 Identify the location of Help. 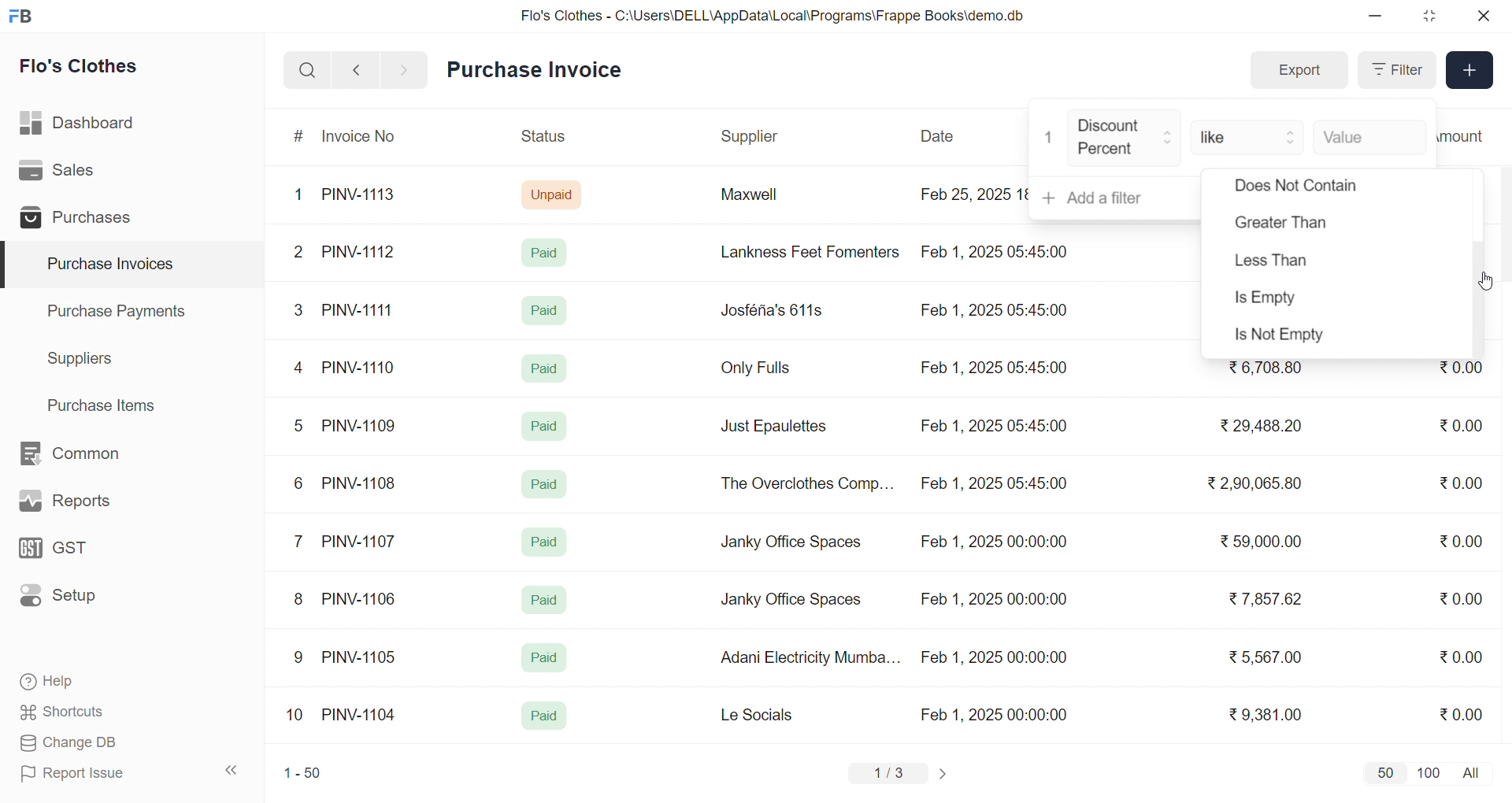
(98, 683).